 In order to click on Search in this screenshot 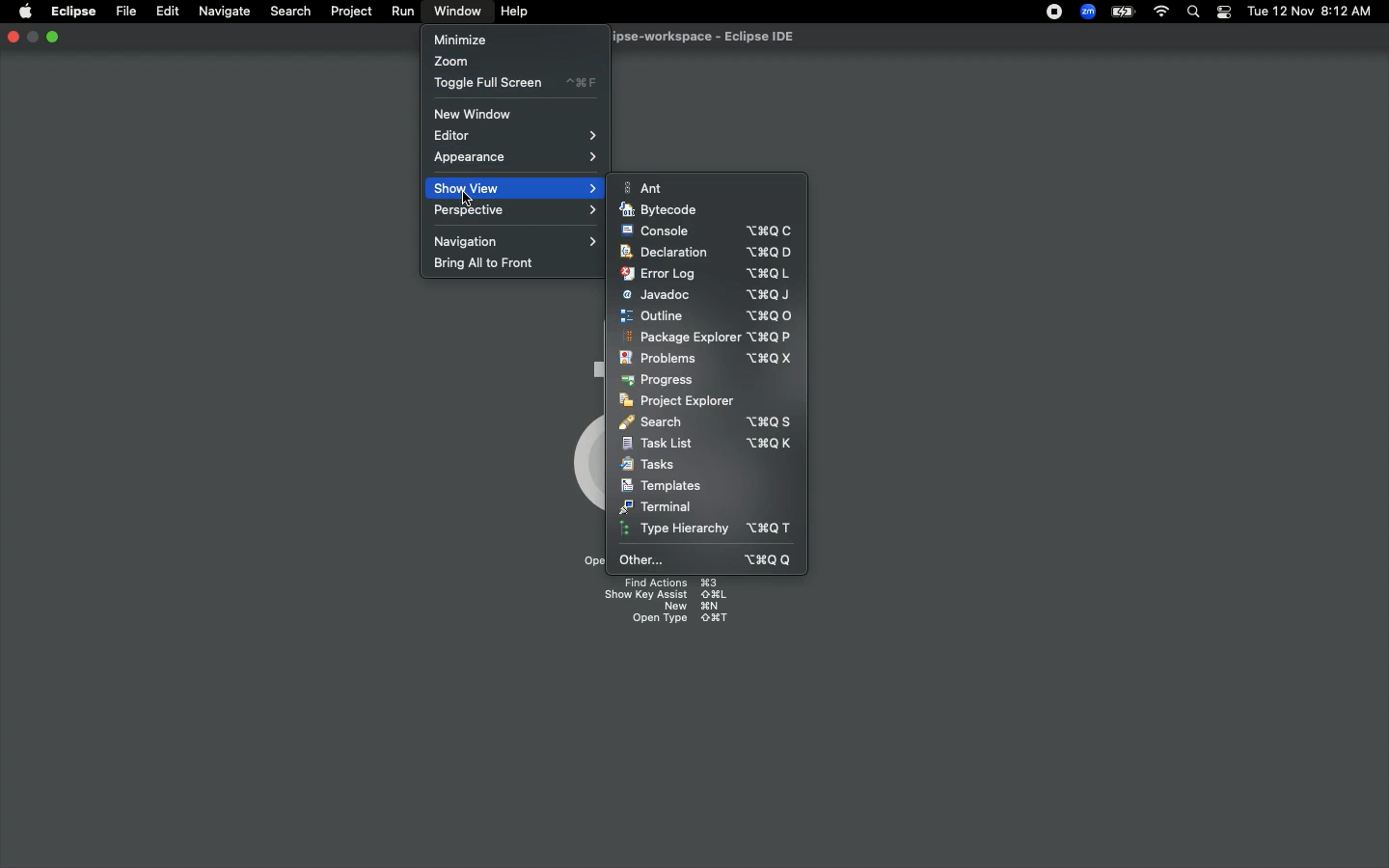, I will do `click(1195, 13)`.